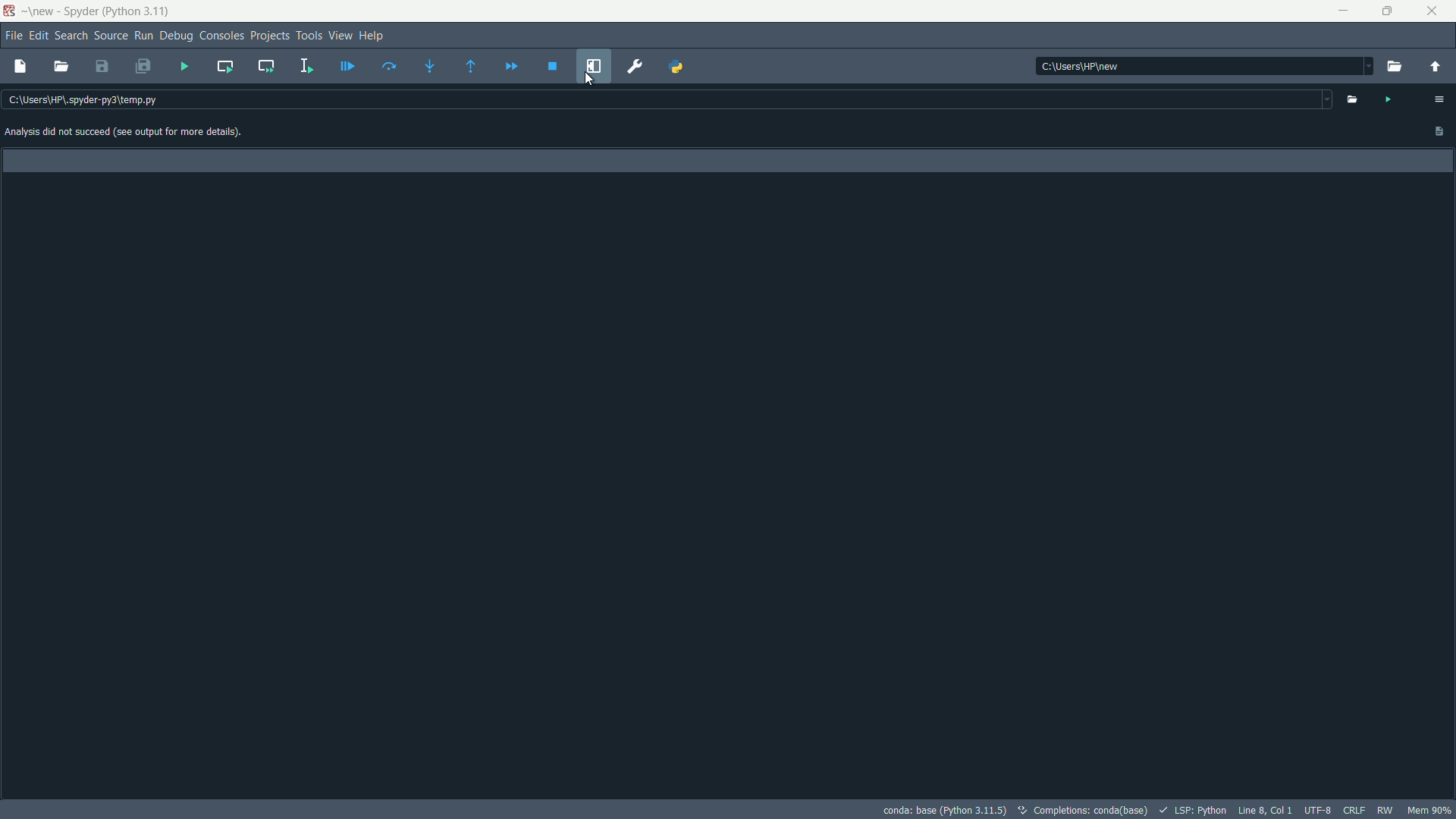  I want to click on source menu, so click(110, 36).